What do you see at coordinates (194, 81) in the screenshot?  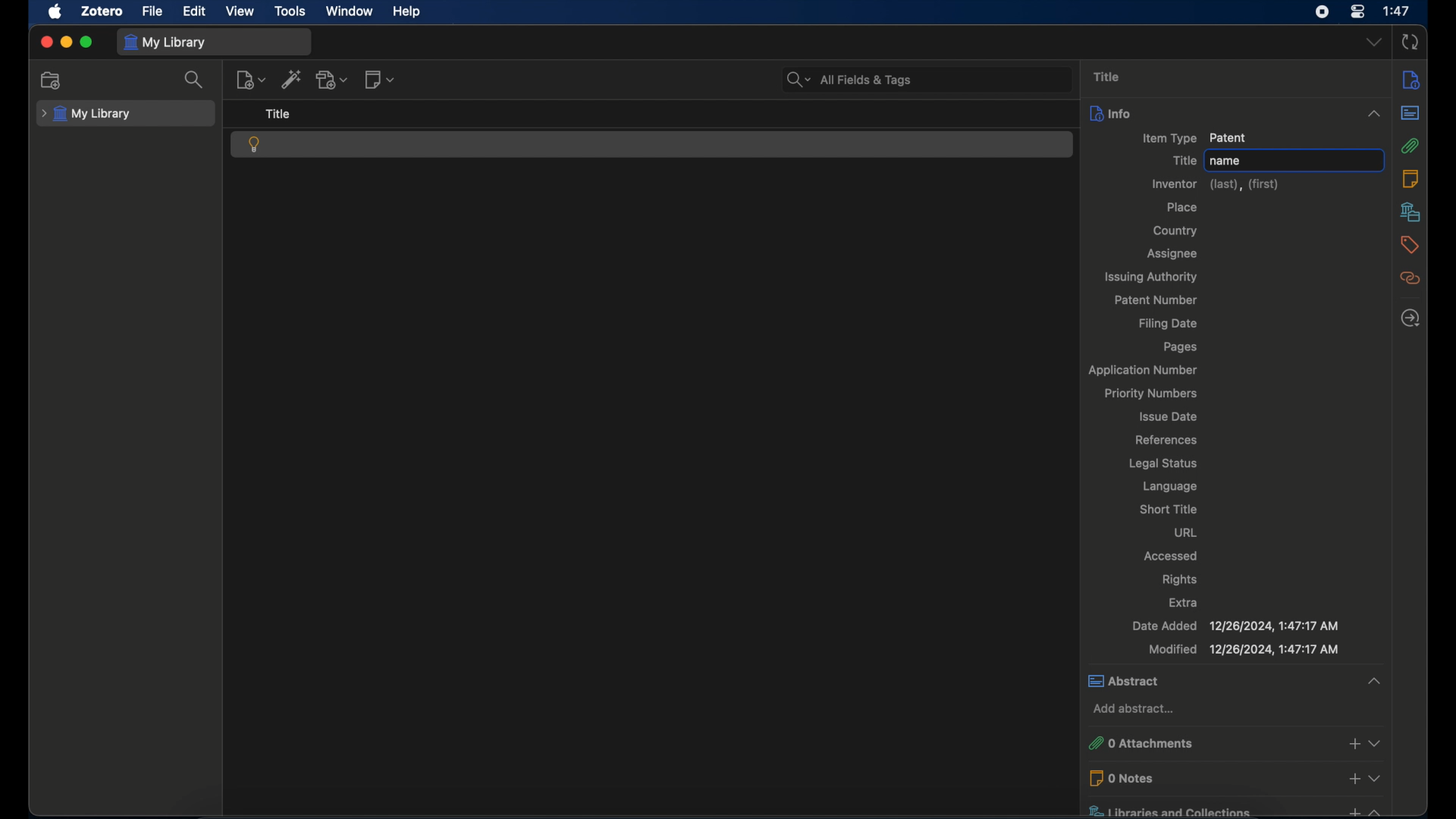 I see `search` at bounding box center [194, 81].